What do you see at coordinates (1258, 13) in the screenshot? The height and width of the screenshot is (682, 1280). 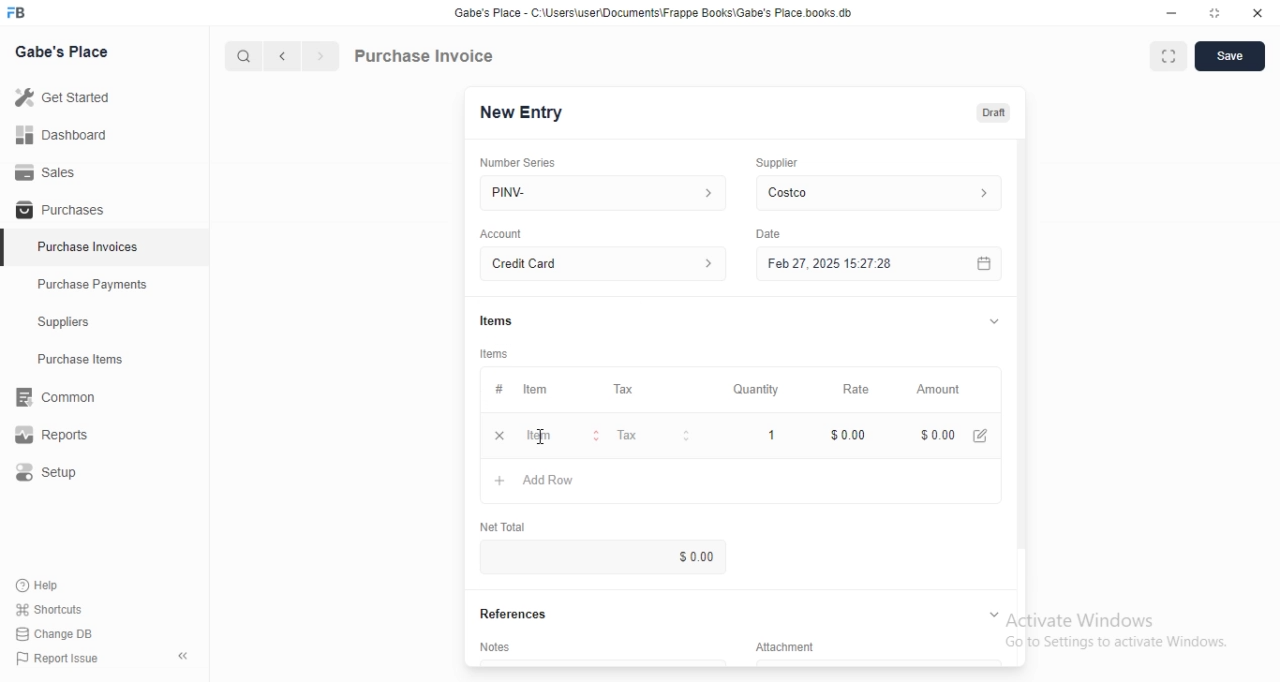 I see `Close` at bounding box center [1258, 13].